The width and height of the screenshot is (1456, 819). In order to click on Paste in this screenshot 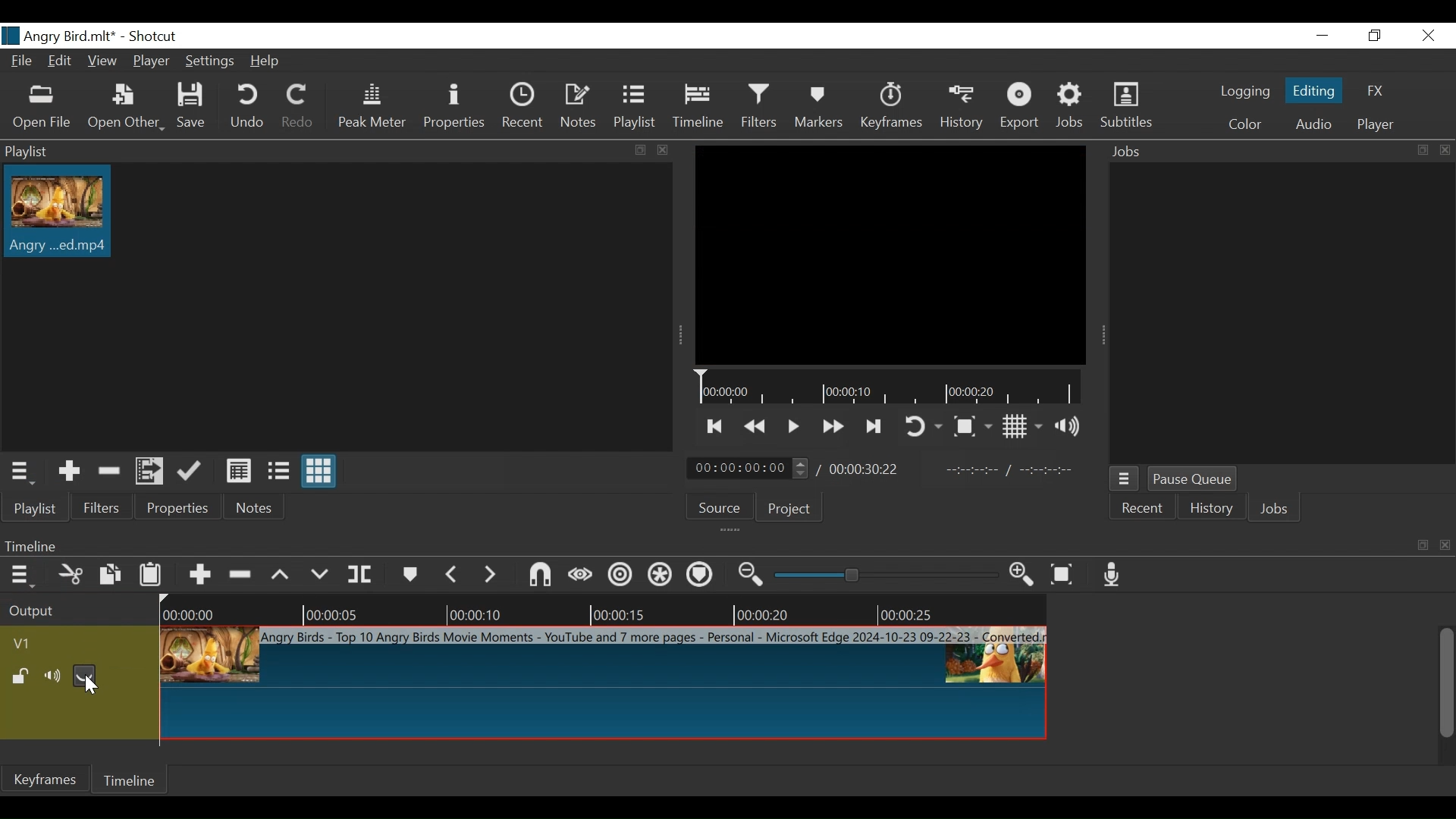, I will do `click(152, 574)`.